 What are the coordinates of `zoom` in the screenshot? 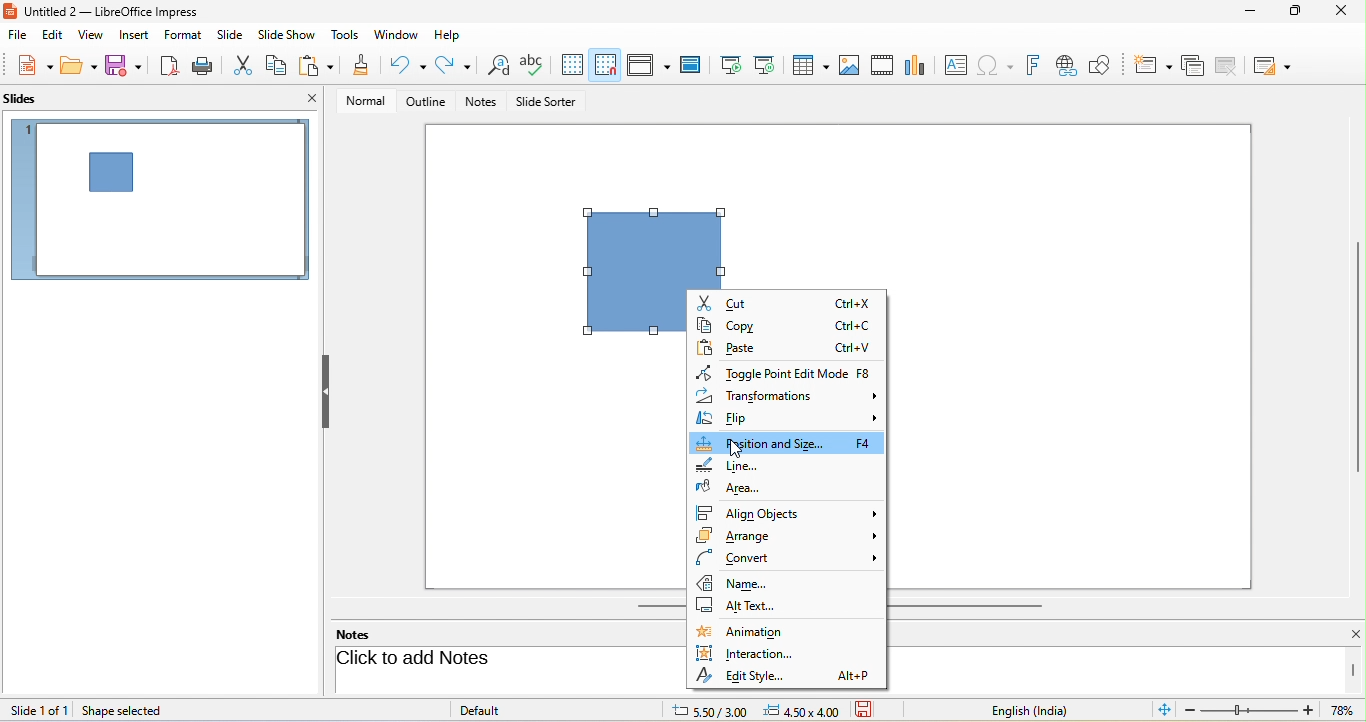 It's located at (1273, 712).